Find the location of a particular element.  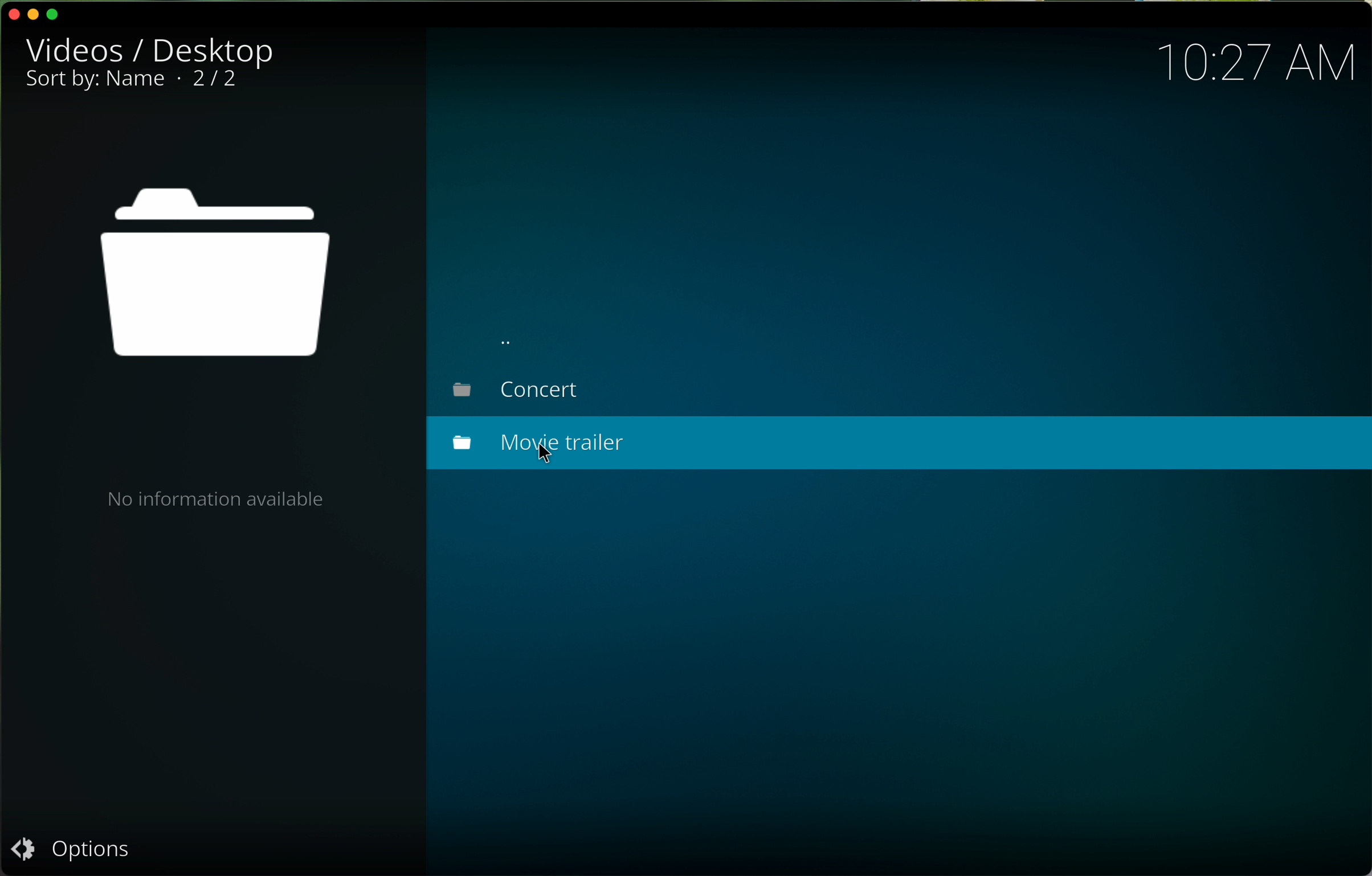

cursor is located at coordinates (551, 456).